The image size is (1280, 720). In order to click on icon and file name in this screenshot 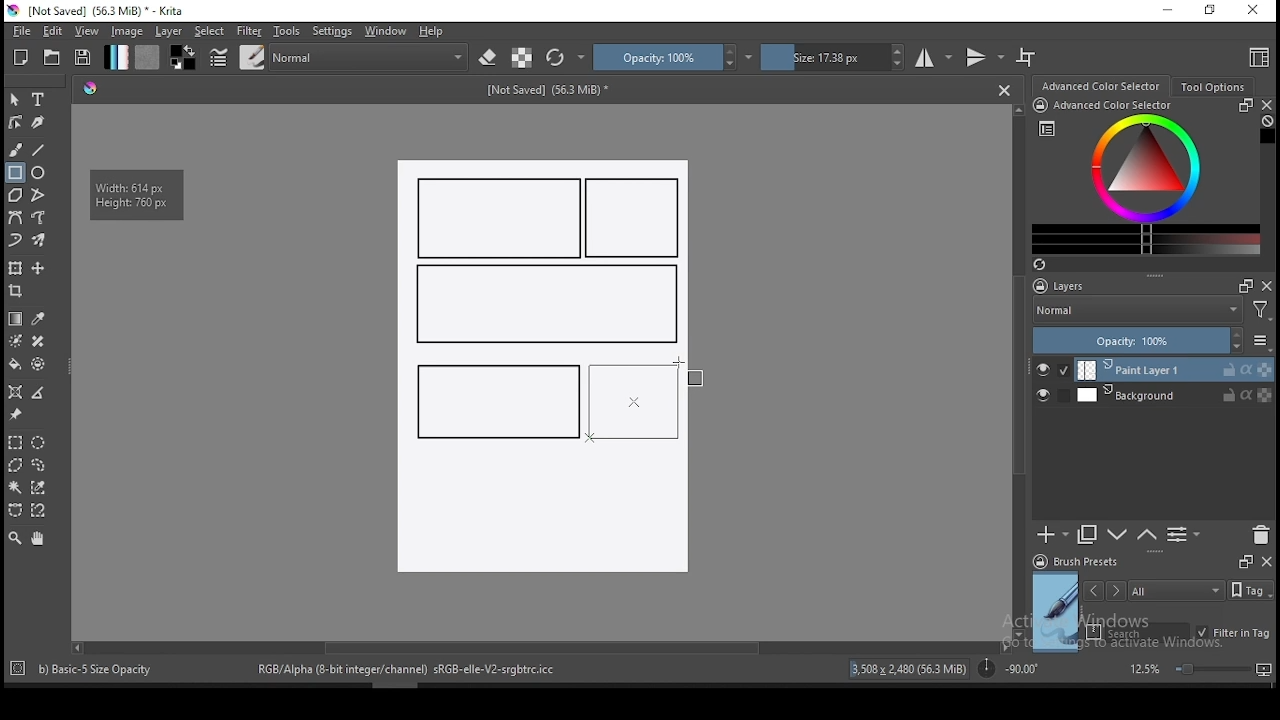, I will do `click(99, 11)`.